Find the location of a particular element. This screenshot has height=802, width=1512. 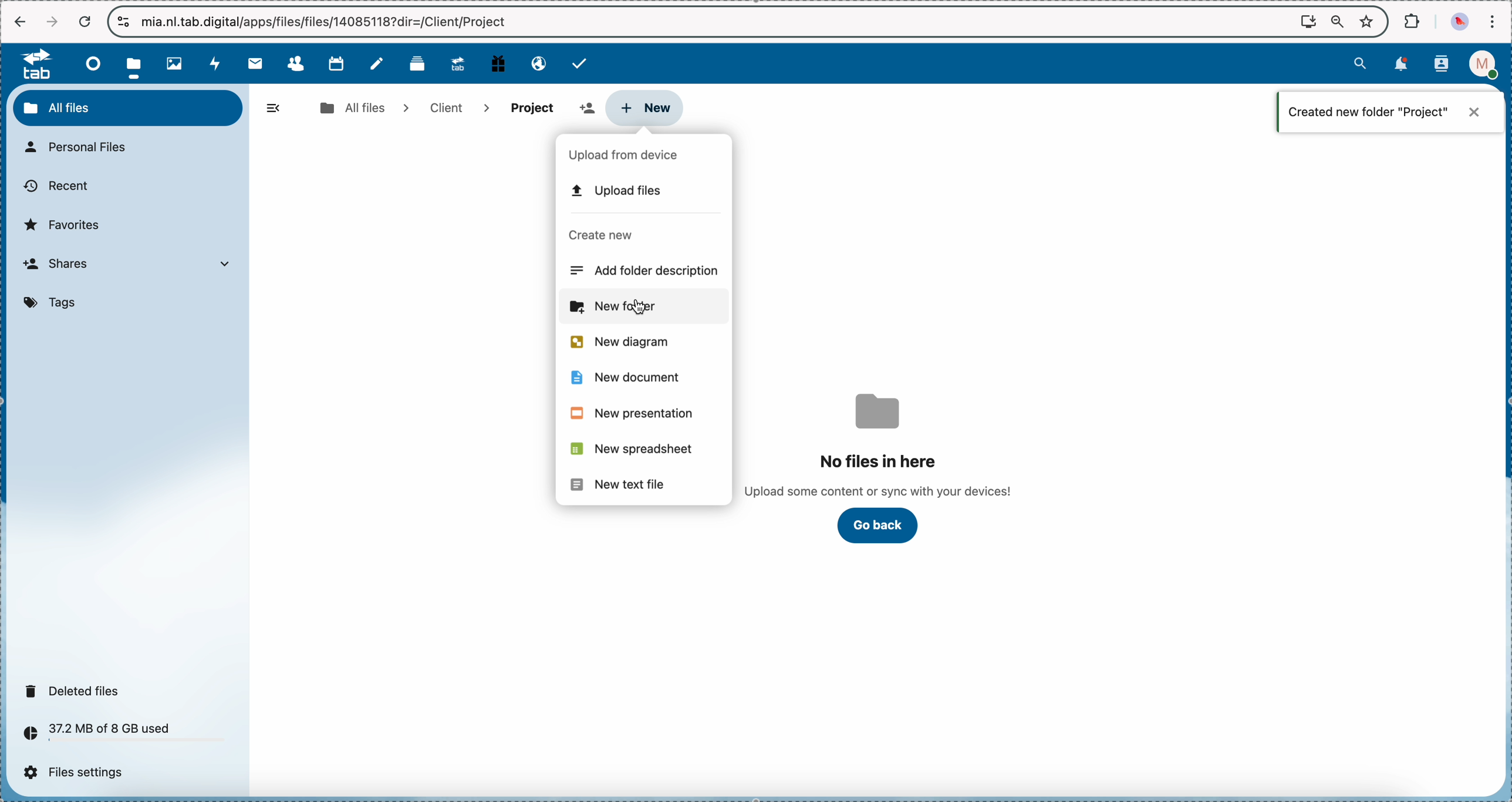

screen is located at coordinates (1308, 21).